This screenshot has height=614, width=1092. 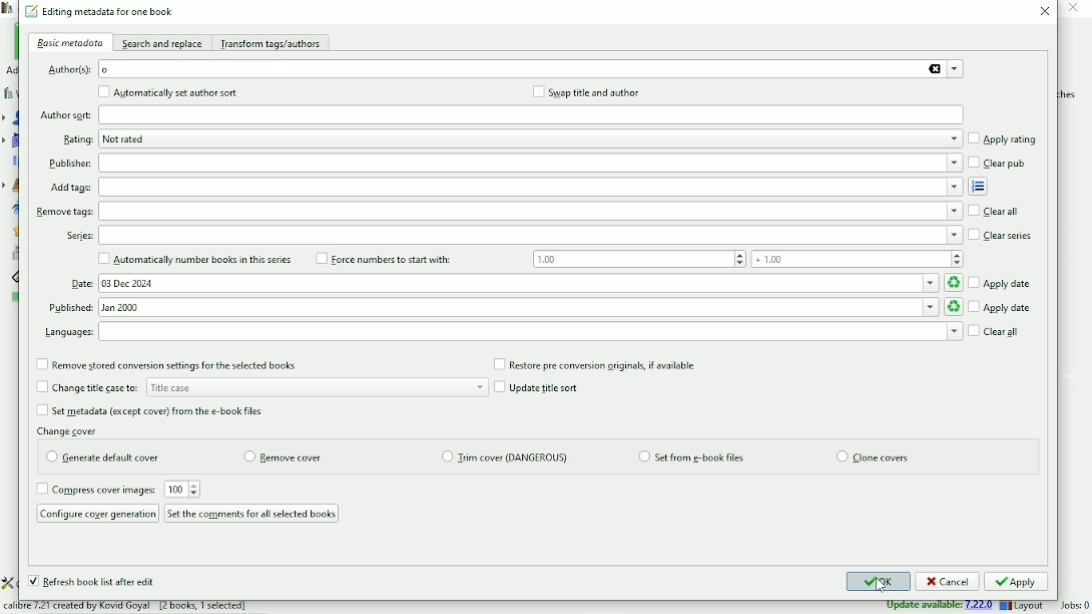 What do you see at coordinates (284, 459) in the screenshot?
I see `remove cover radio button` at bounding box center [284, 459].